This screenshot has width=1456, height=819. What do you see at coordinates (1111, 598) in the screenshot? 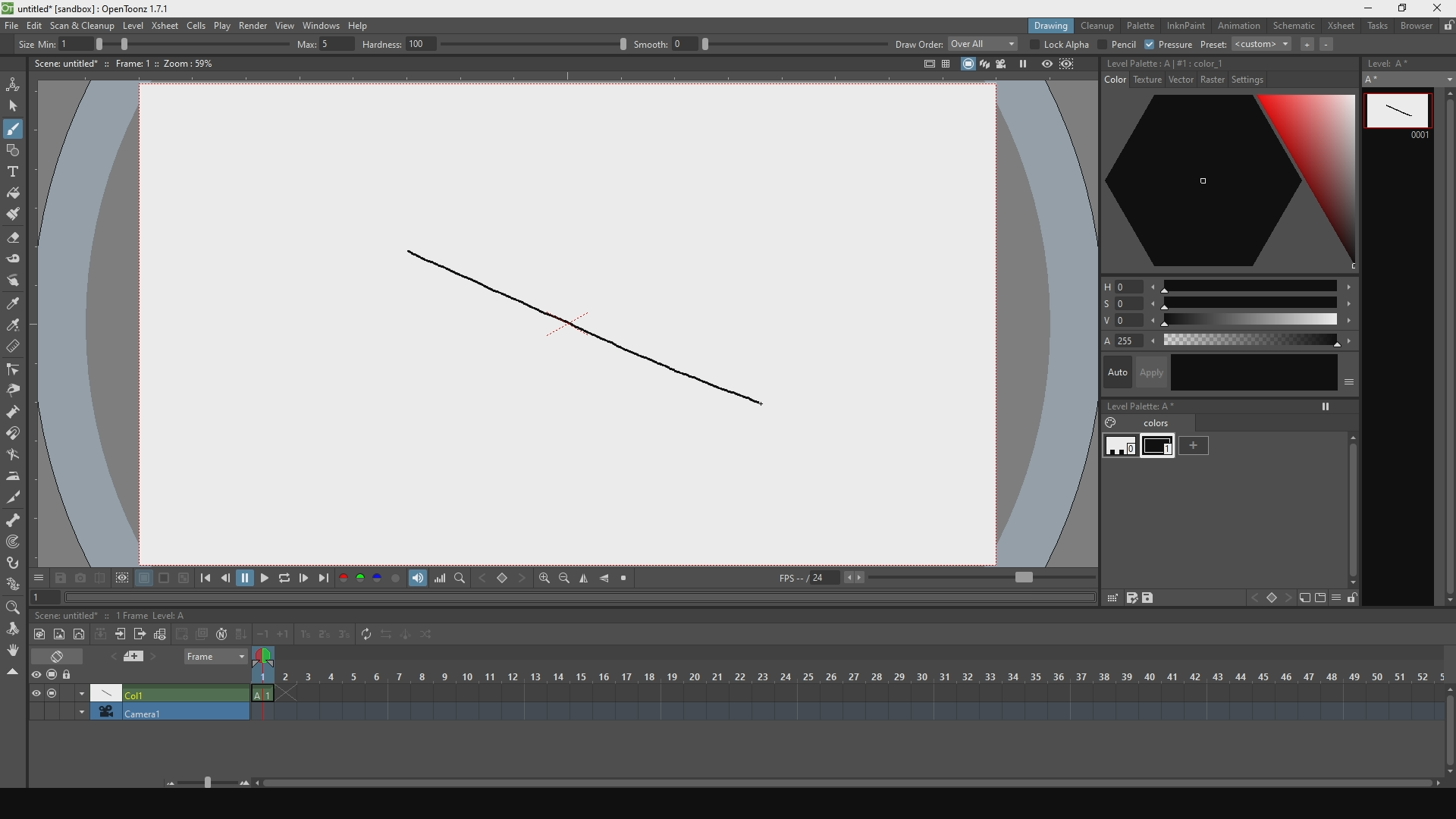
I see `grid` at bounding box center [1111, 598].